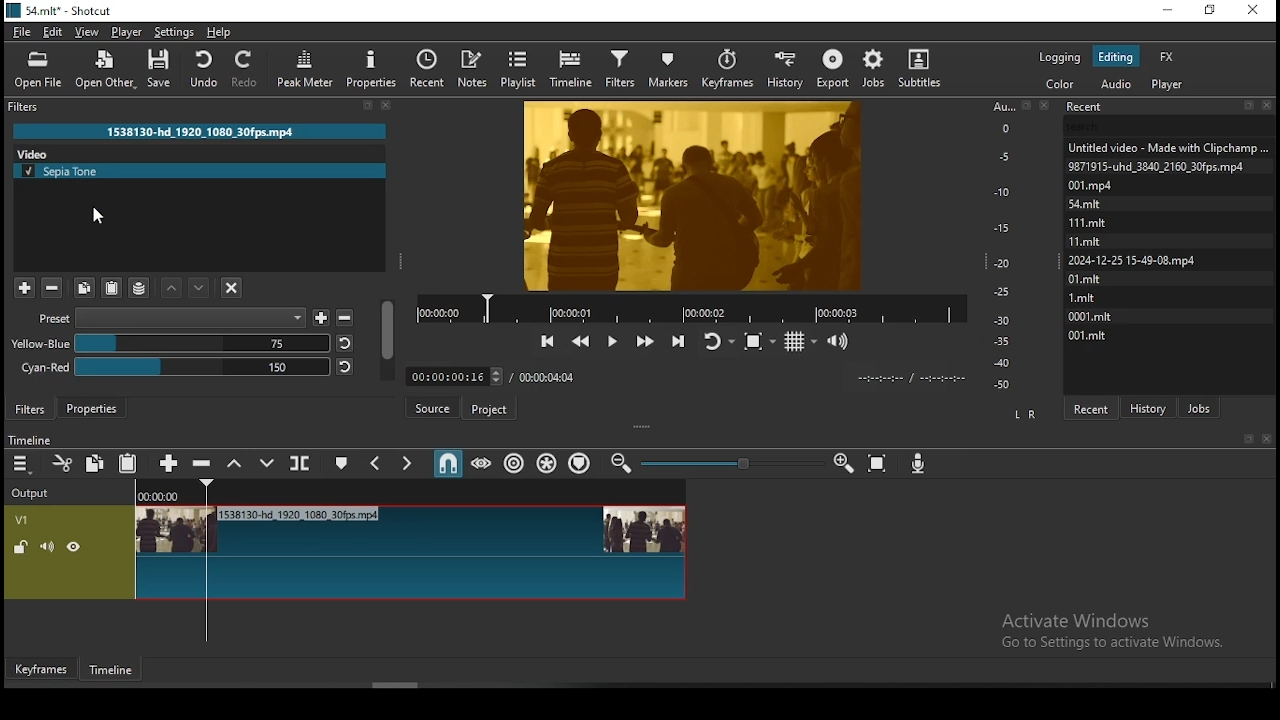 This screenshot has width=1280, height=720. What do you see at coordinates (199, 288) in the screenshot?
I see `move filter down` at bounding box center [199, 288].